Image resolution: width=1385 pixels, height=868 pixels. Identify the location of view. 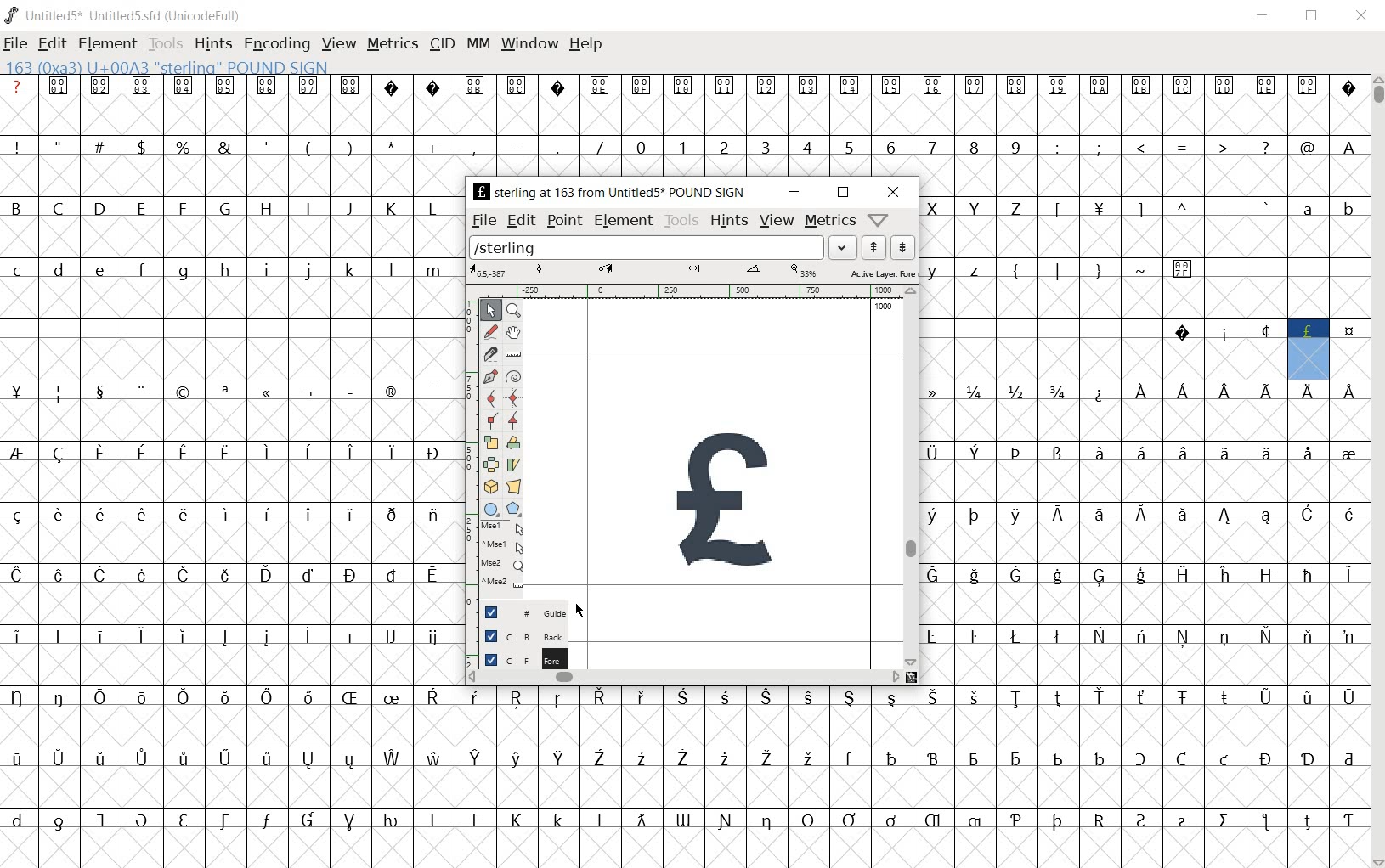
(777, 221).